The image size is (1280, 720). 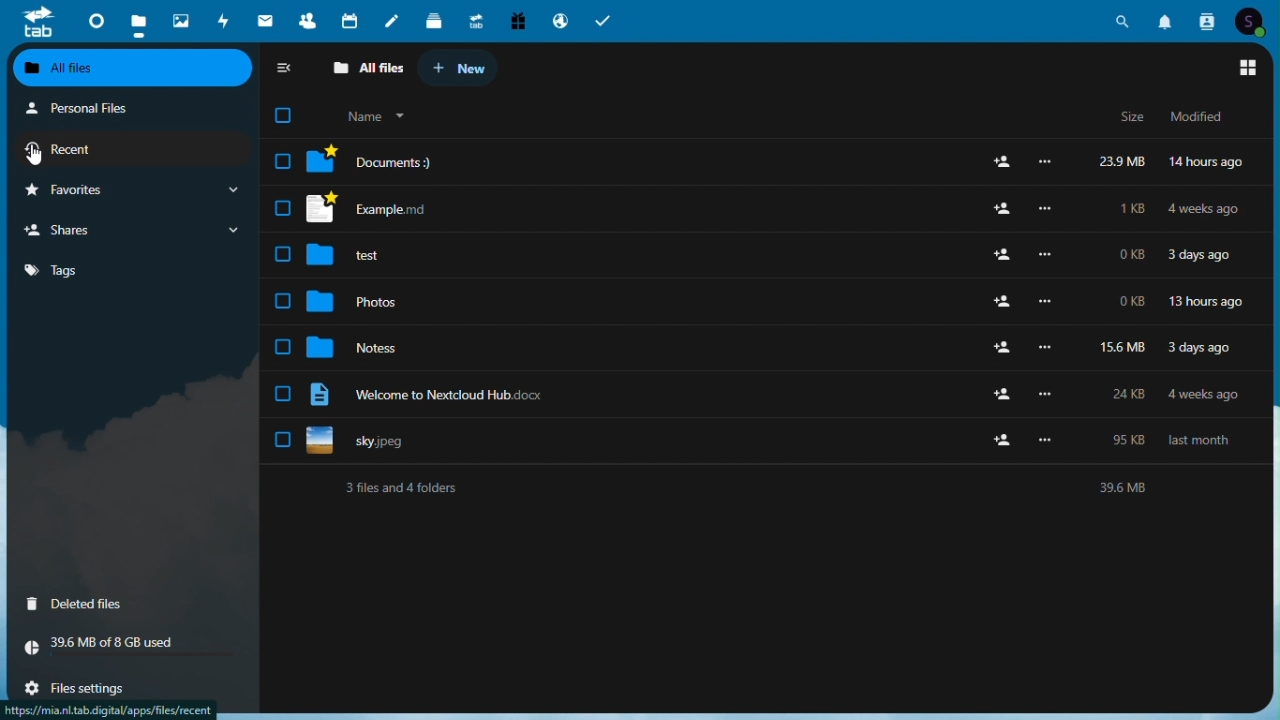 What do you see at coordinates (1002, 160) in the screenshot?
I see `add user` at bounding box center [1002, 160].